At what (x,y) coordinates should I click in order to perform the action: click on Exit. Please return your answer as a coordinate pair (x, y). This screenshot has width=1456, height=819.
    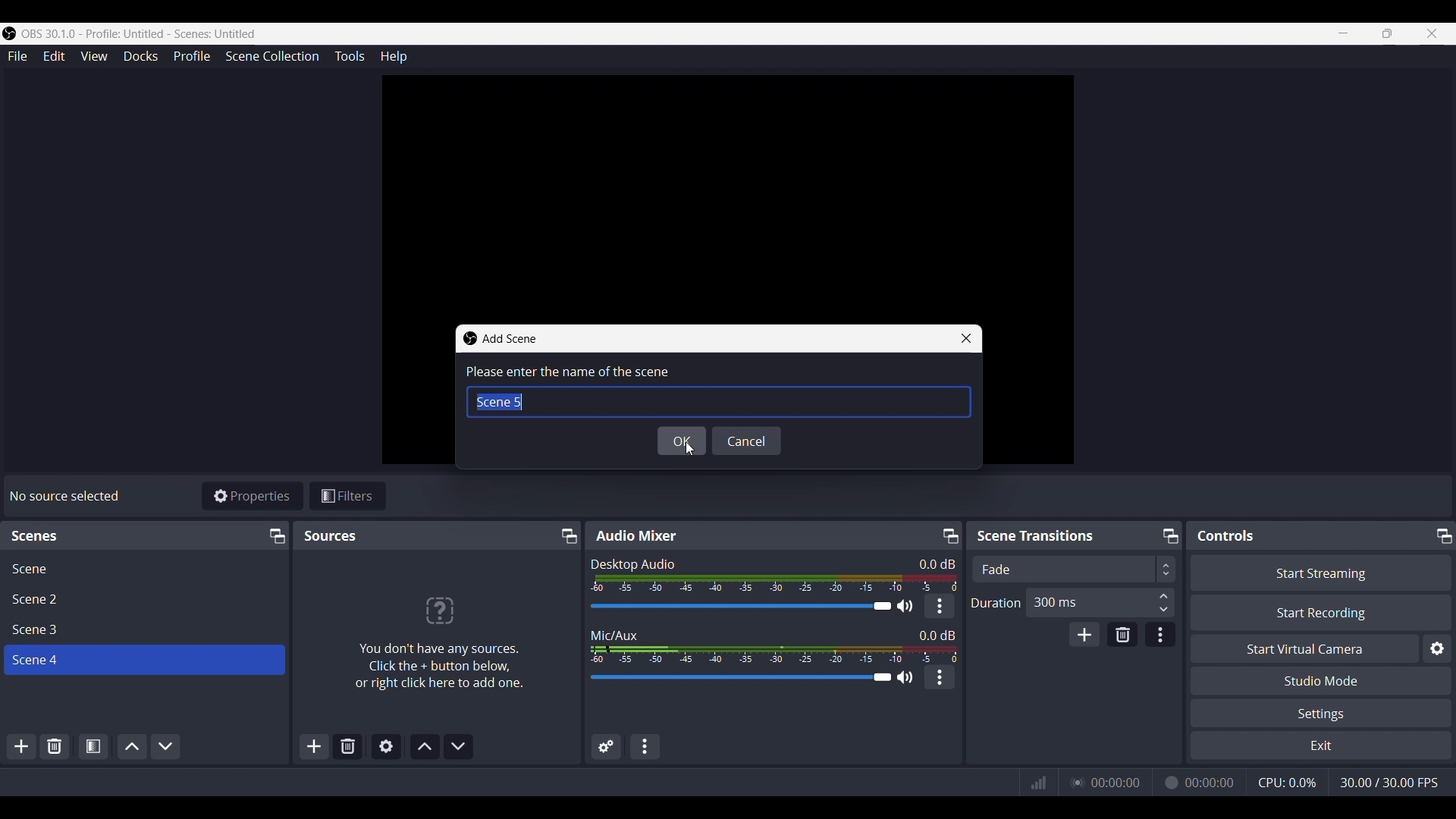
    Looking at the image, I should click on (1321, 745).